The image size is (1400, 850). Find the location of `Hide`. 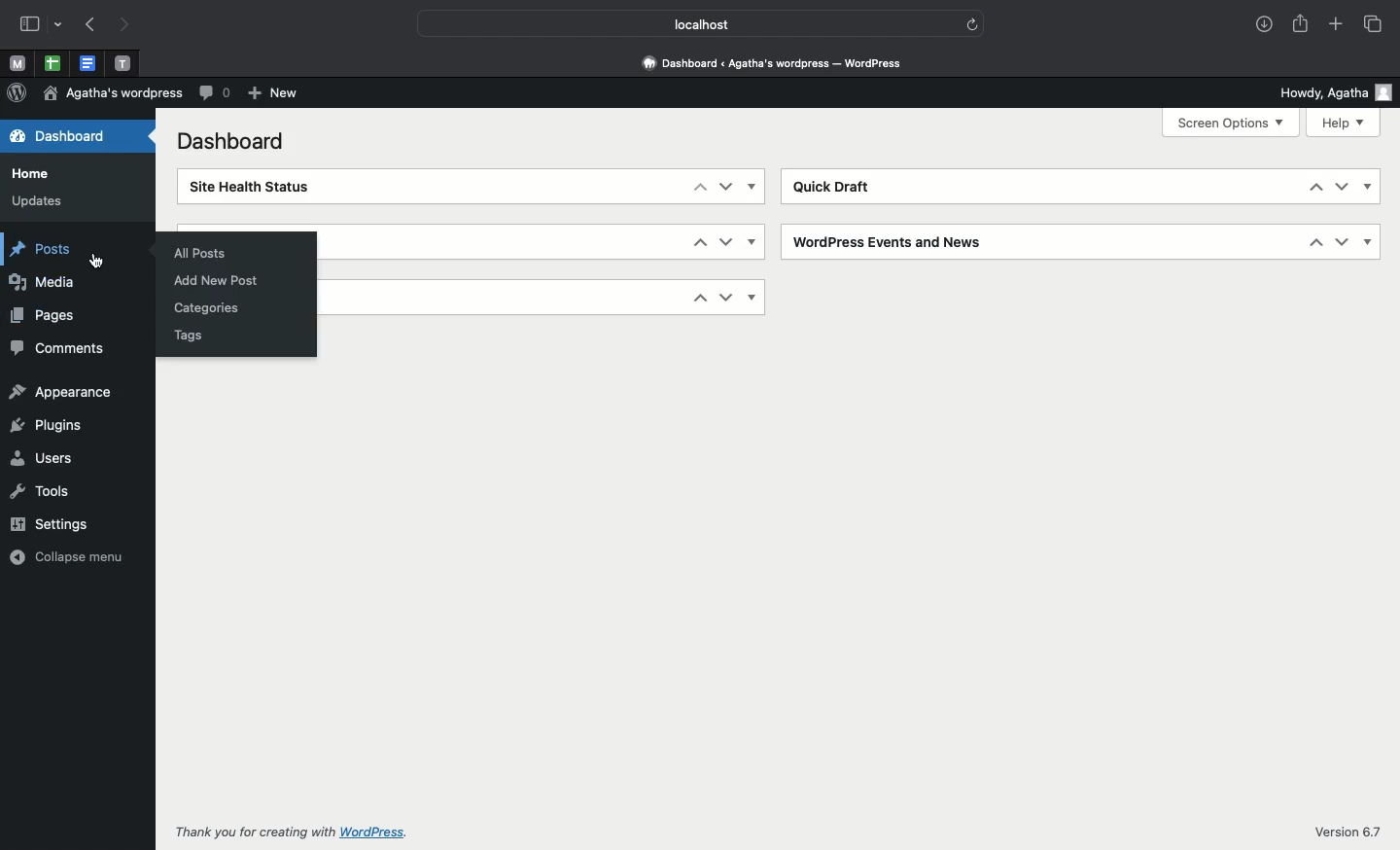

Hide is located at coordinates (756, 187).